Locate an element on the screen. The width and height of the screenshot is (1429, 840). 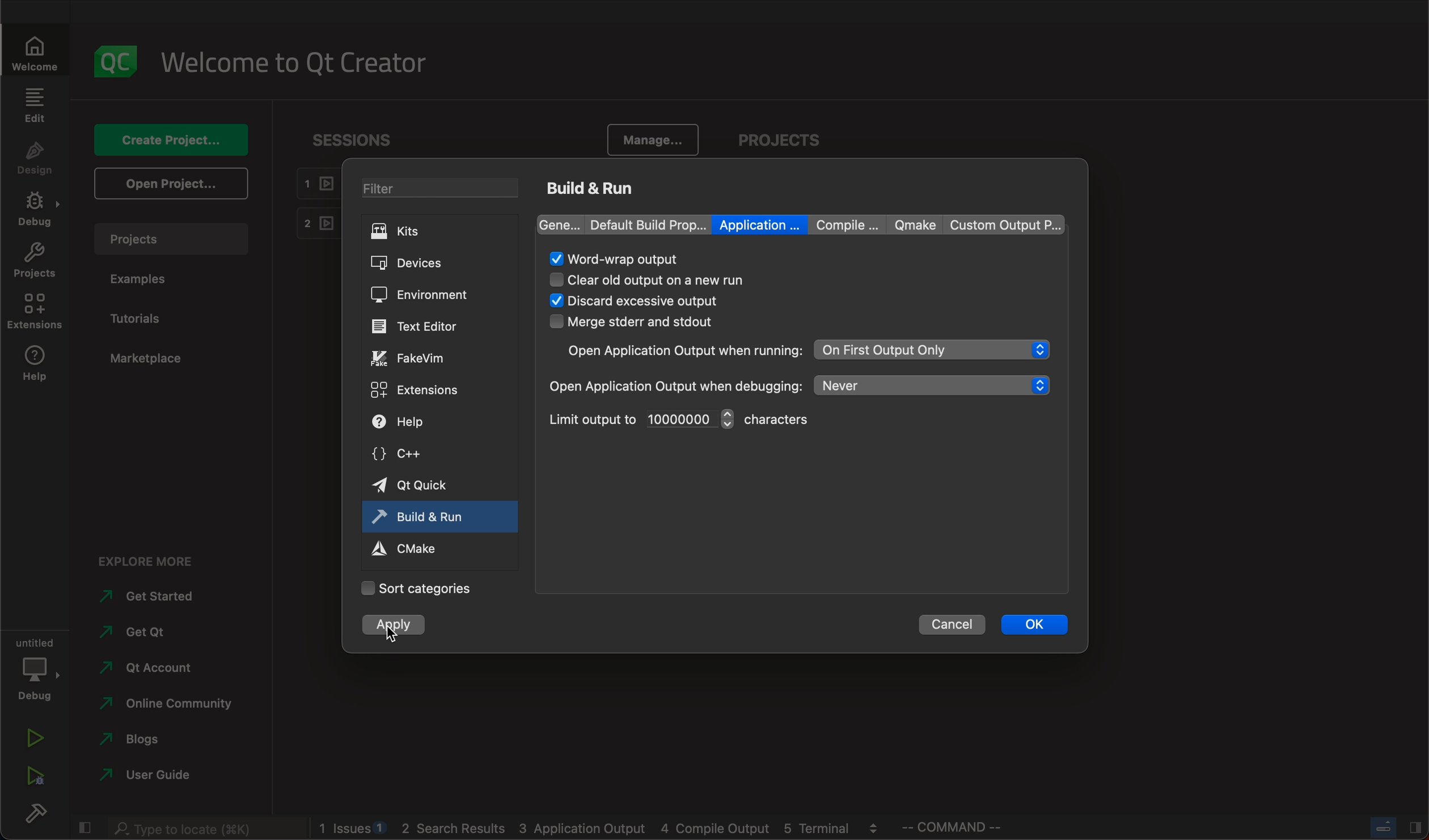
explore is located at coordinates (149, 561).